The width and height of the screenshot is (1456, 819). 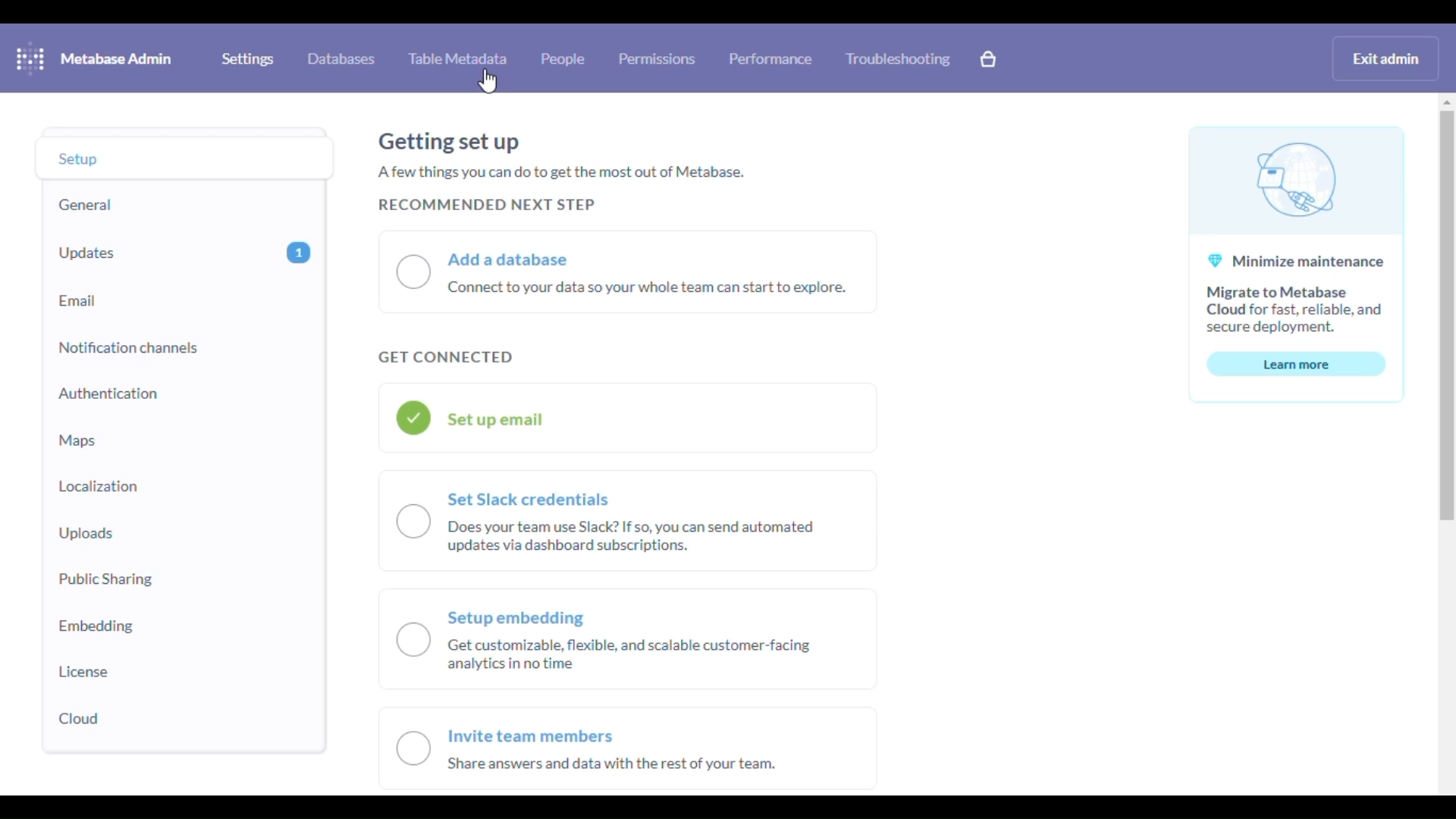 I want to click on databases, so click(x=341, y=58).